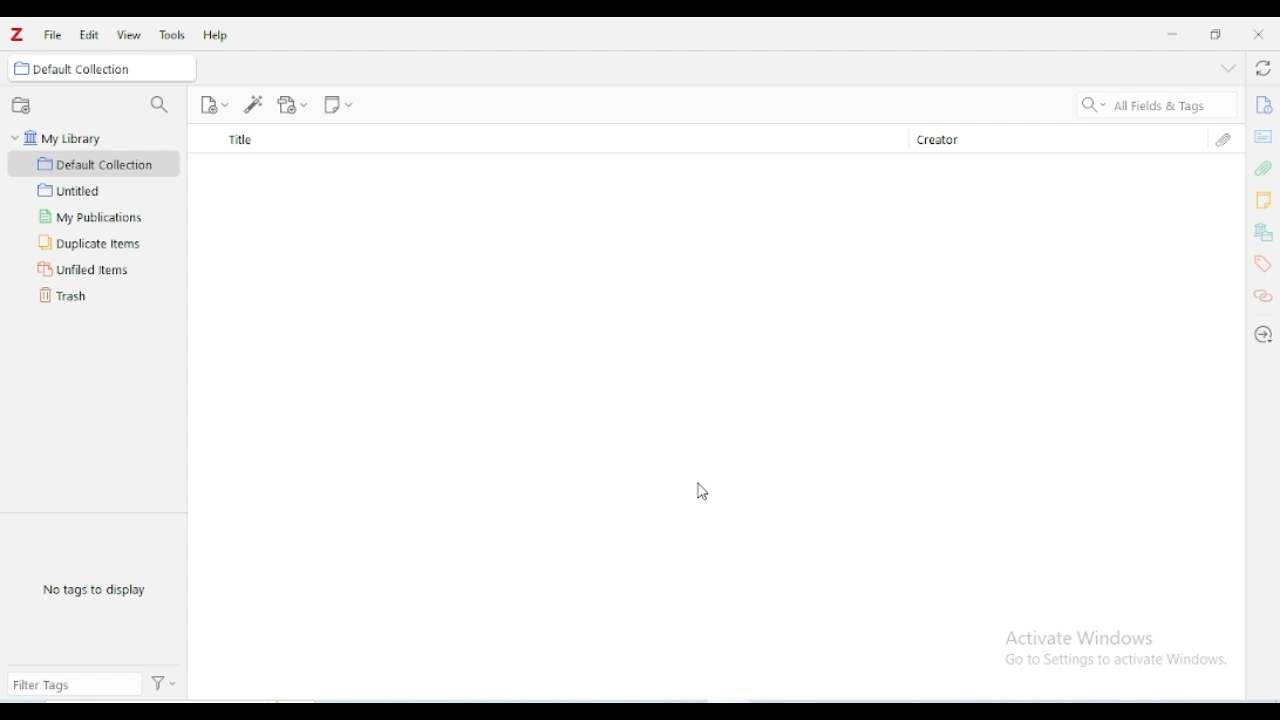  What do you see at coordinates (160, 104) in the screenshot?
I see `filter collections` at bounding box center [160, 104].